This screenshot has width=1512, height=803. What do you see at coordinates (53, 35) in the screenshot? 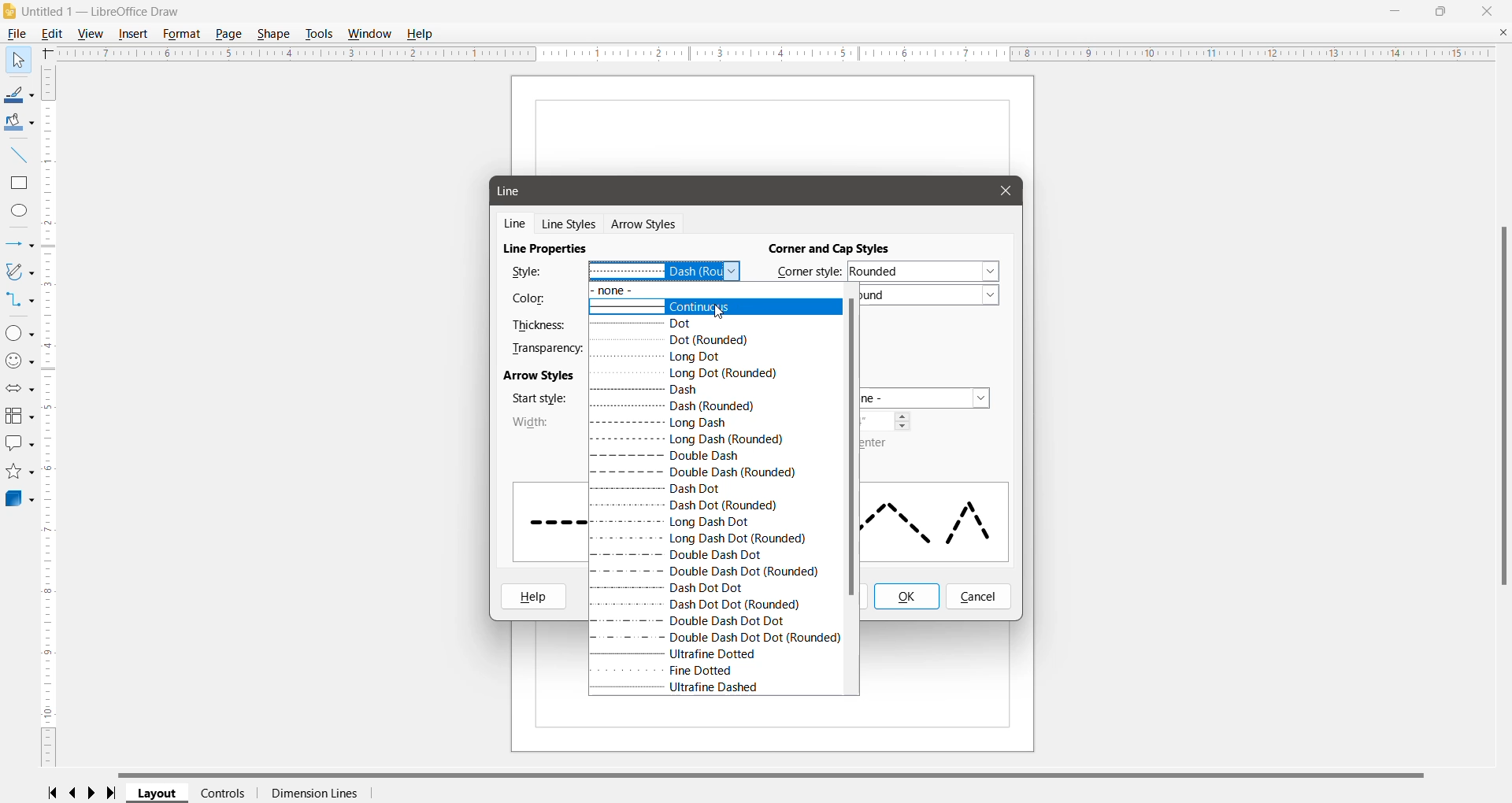
I see `Edit` at bounding box center [53, 35].